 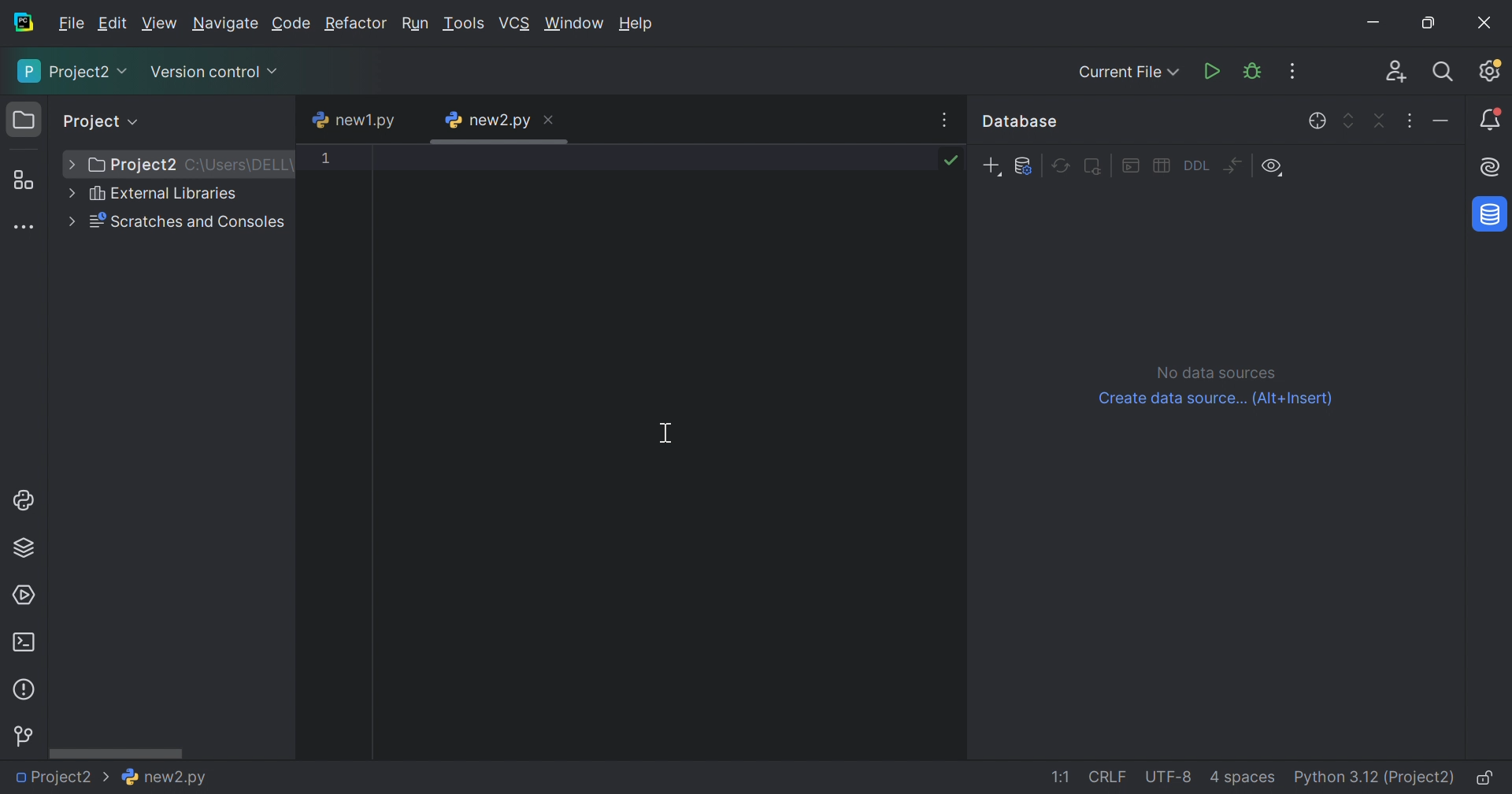 I want to click on Create data source...(Alt+Insert), so click(x=1221, y=400).